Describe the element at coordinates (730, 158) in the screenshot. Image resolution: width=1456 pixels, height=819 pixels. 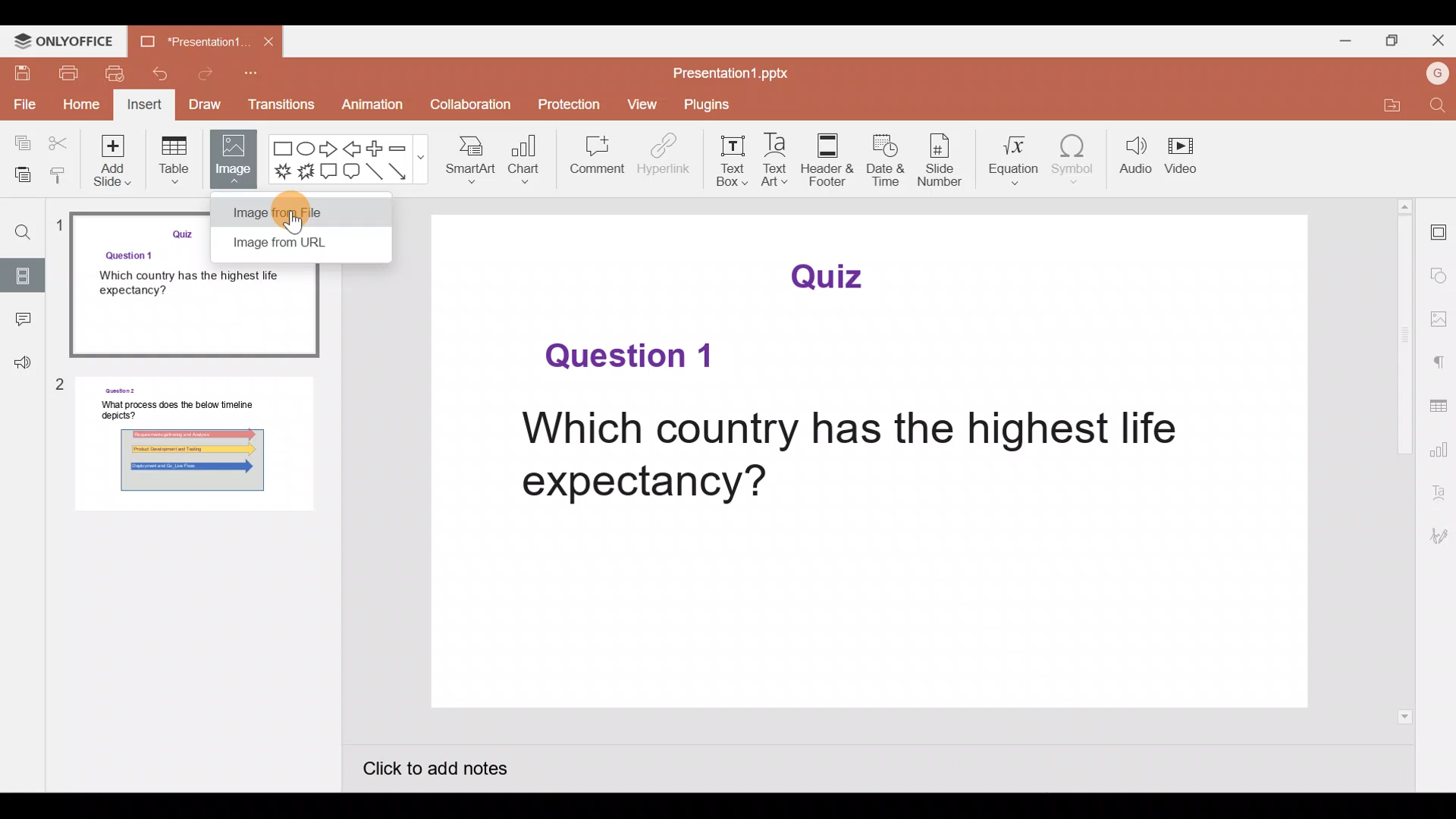
I see `Text box` at that location.